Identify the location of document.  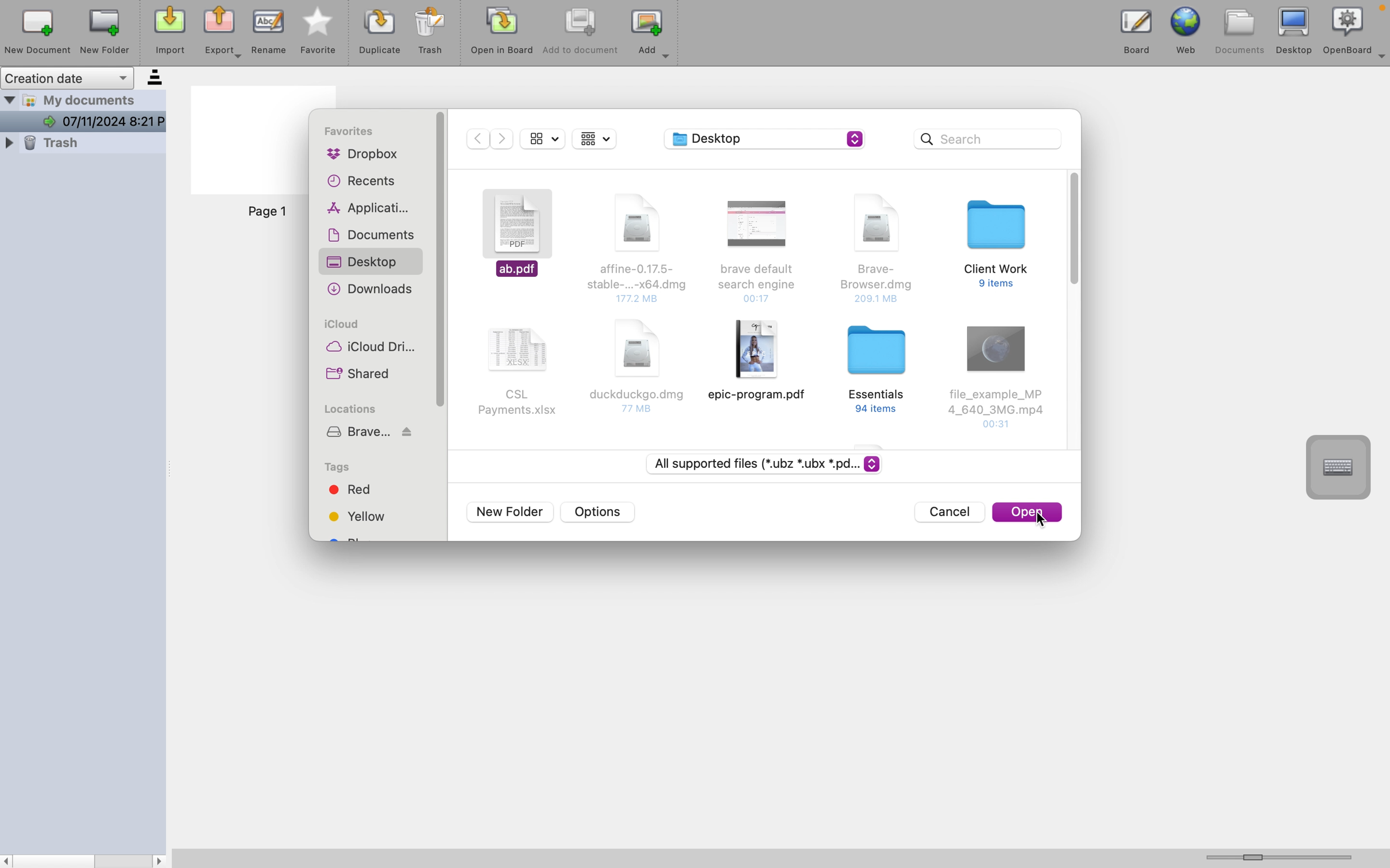
(759, 366).